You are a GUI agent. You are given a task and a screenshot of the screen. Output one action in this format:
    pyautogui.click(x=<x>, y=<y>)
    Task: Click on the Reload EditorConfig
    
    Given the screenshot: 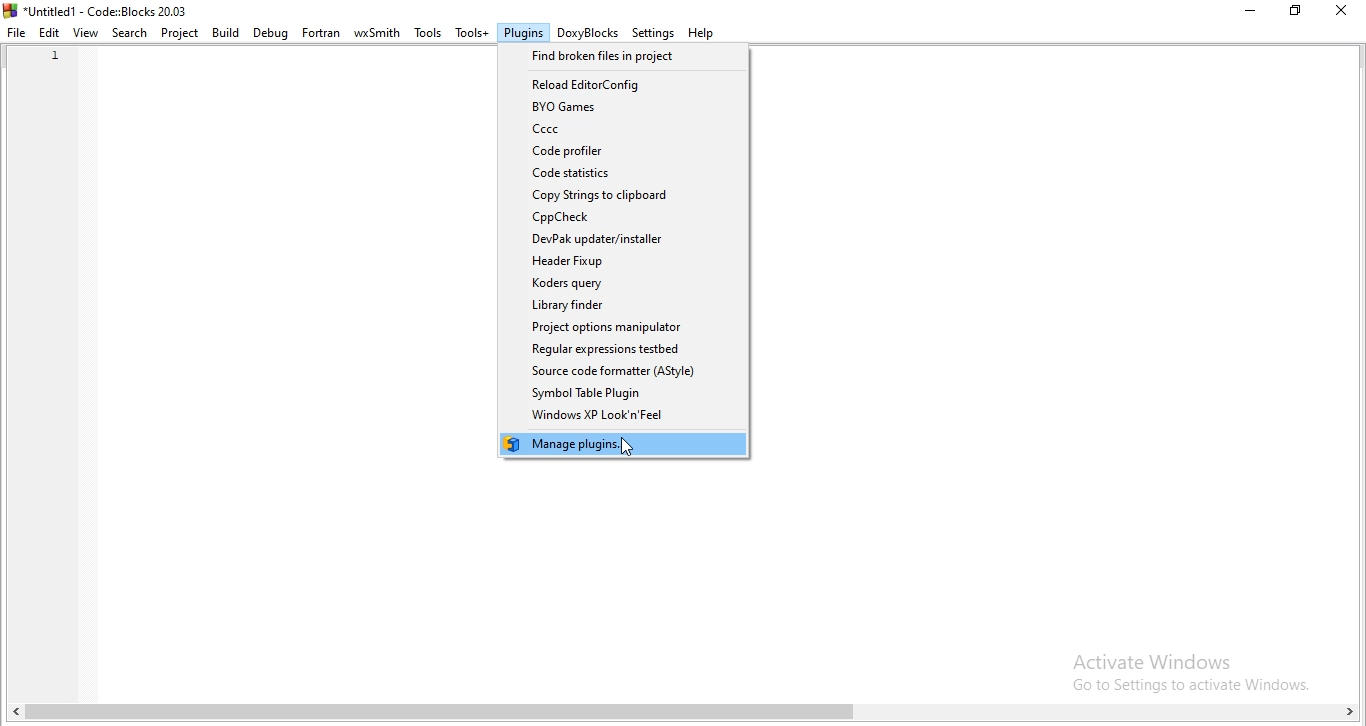 What is the action you would take?
    pyautogui.click(x=627, y=83)
    